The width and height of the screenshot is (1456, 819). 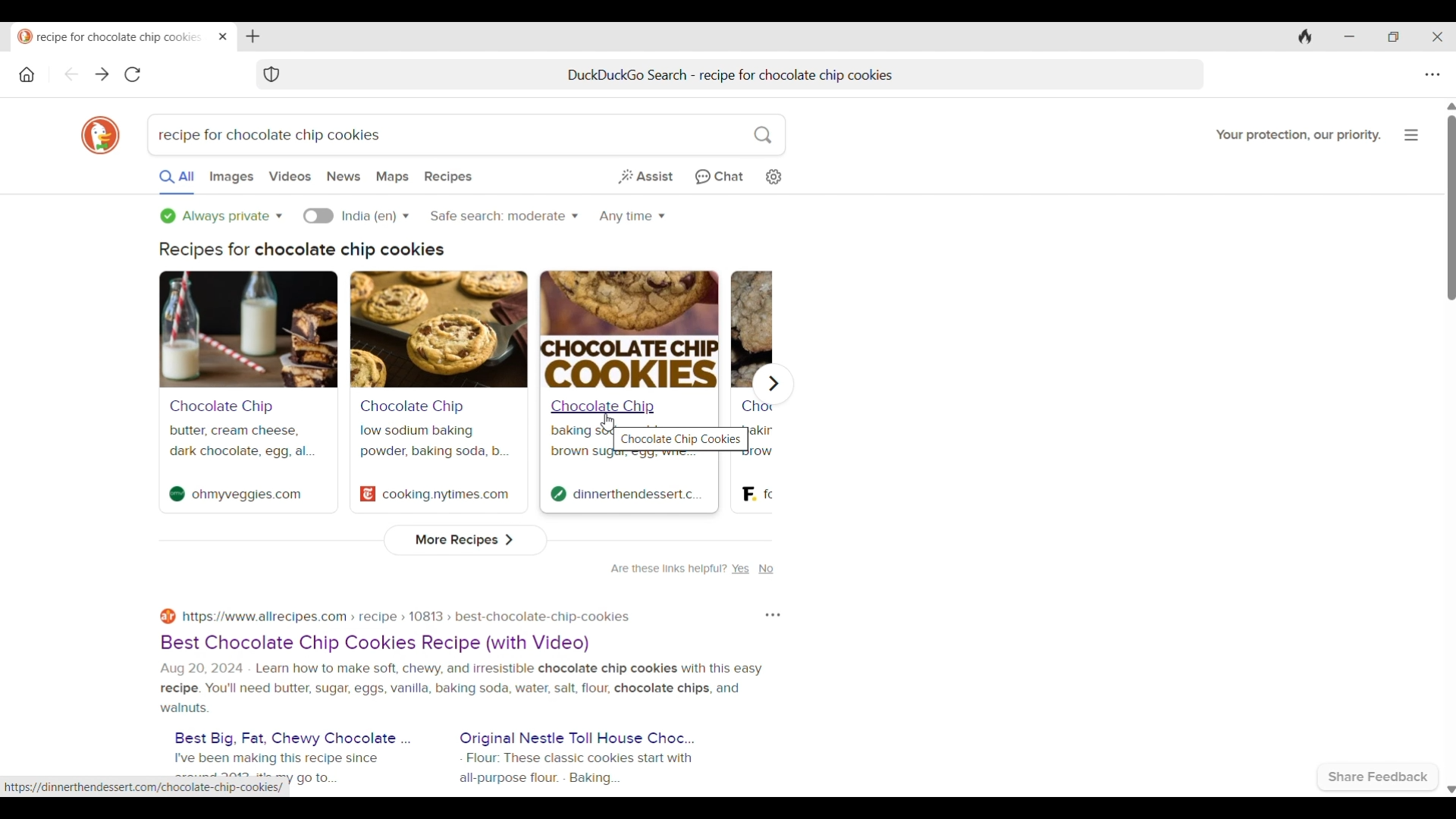 What do you see at coordinates (301, 250) in the screenshot?
I see `Recipes for chocolate chip cookies` at bounding box center [301, 250].